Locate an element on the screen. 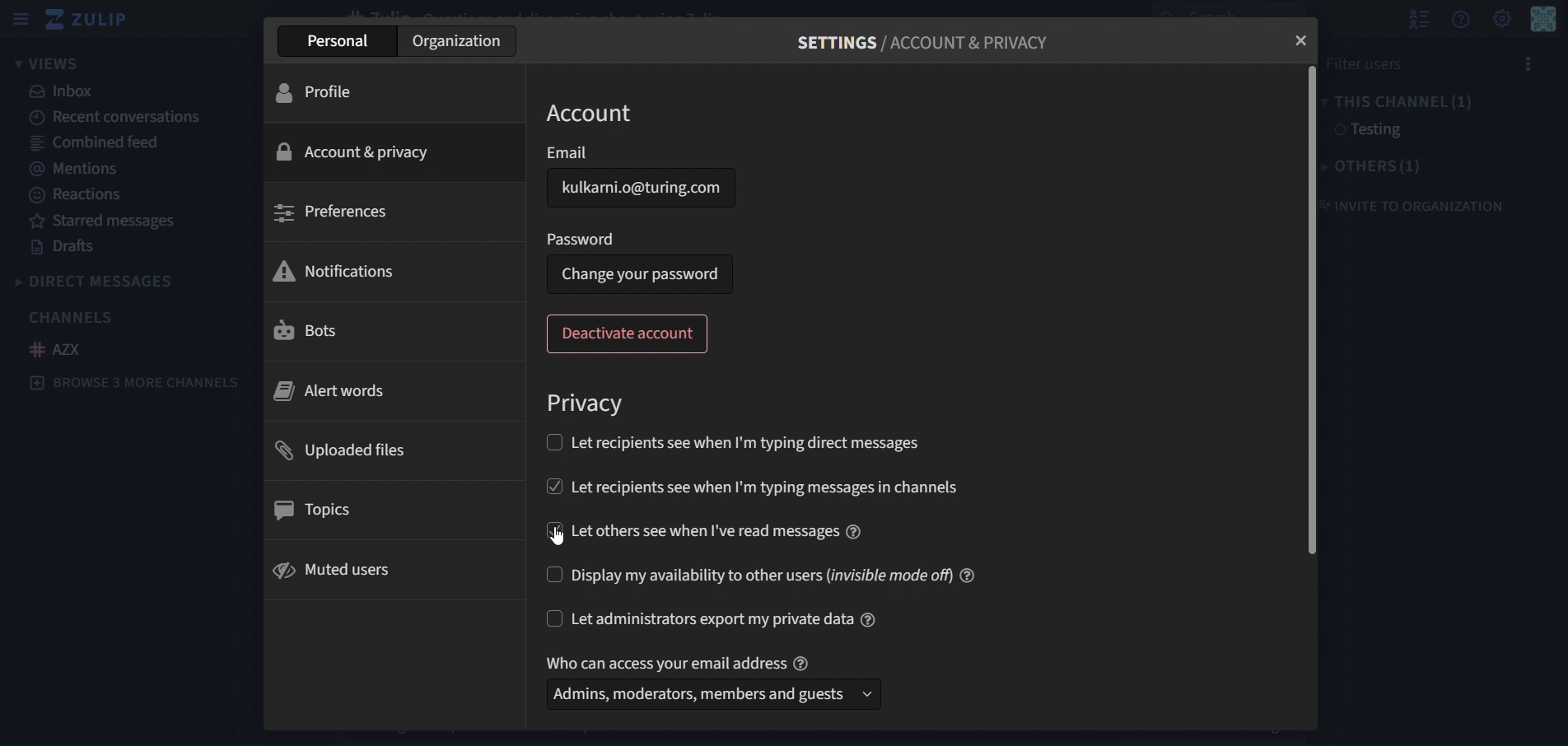 Image resolution: width=1568 pixels, height=746 pixels. mentions is located at coordinates (77, 168).